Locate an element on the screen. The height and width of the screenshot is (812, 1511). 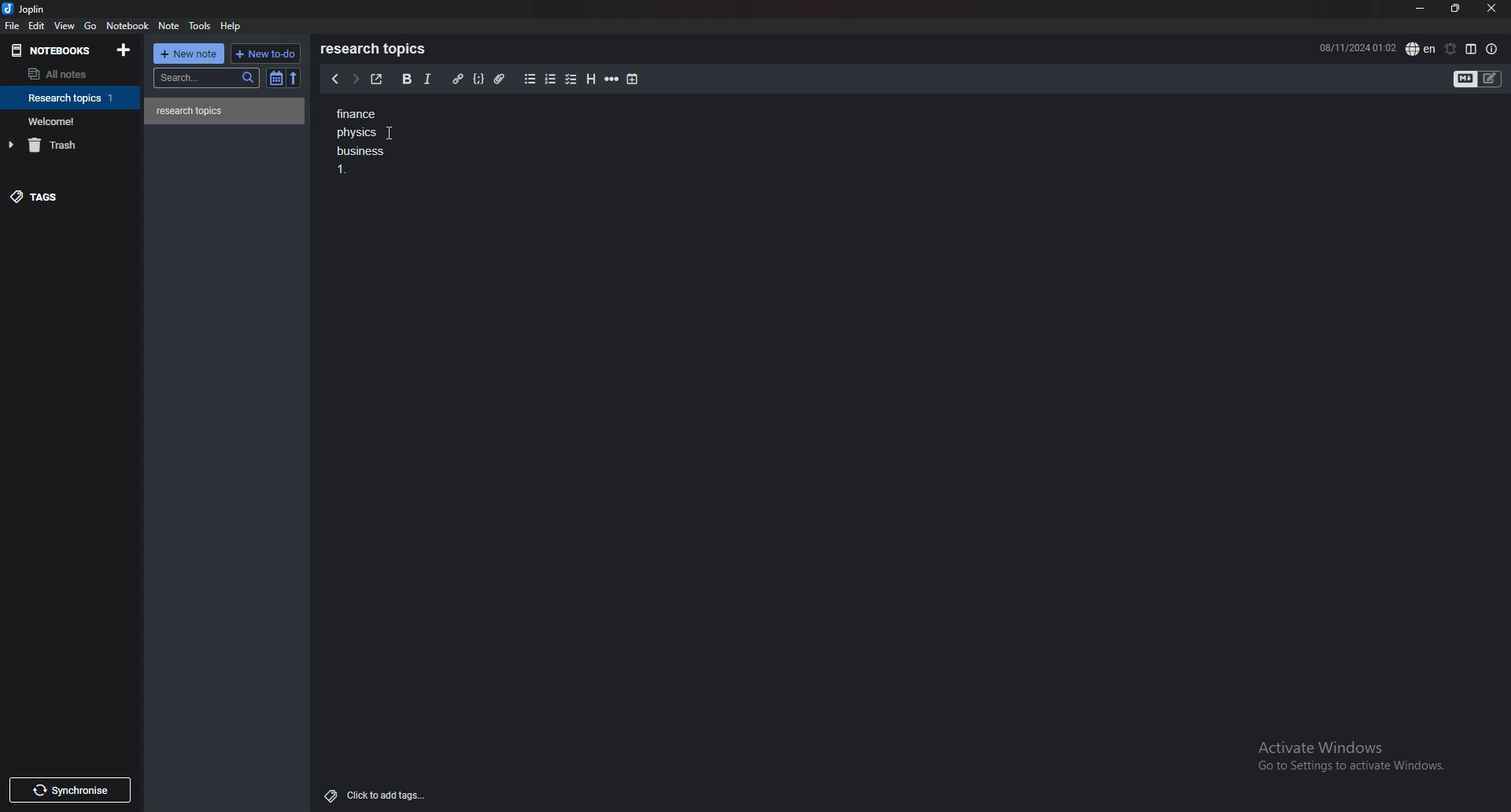
minimize is located at coordinates (1419, 9).